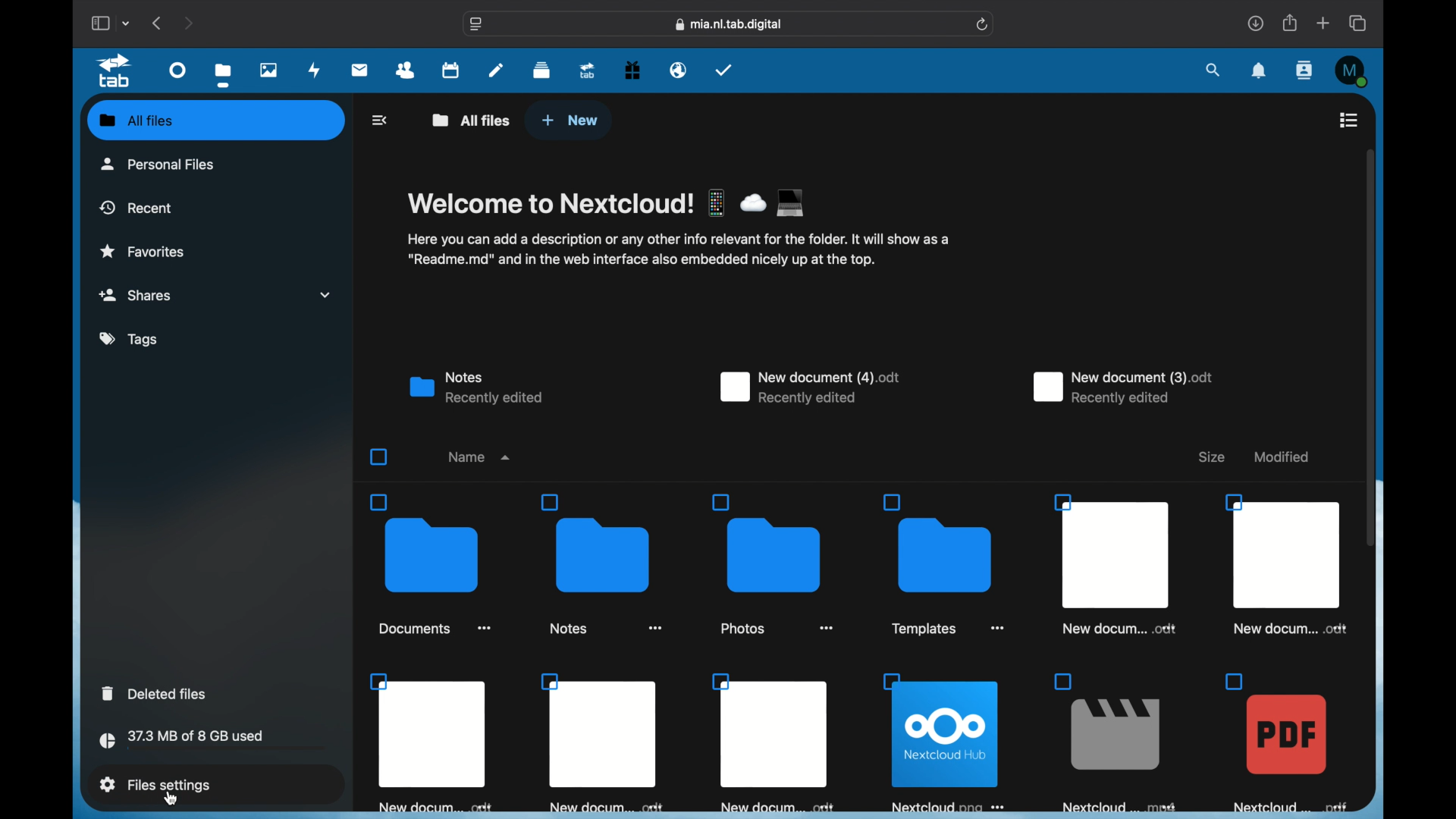 Image resolution: width=1456 pixels, height=819 pixels. What do you see at coordinates (728, 24) in the screenshot?
I see `web address` at bounding box center [728, 24].